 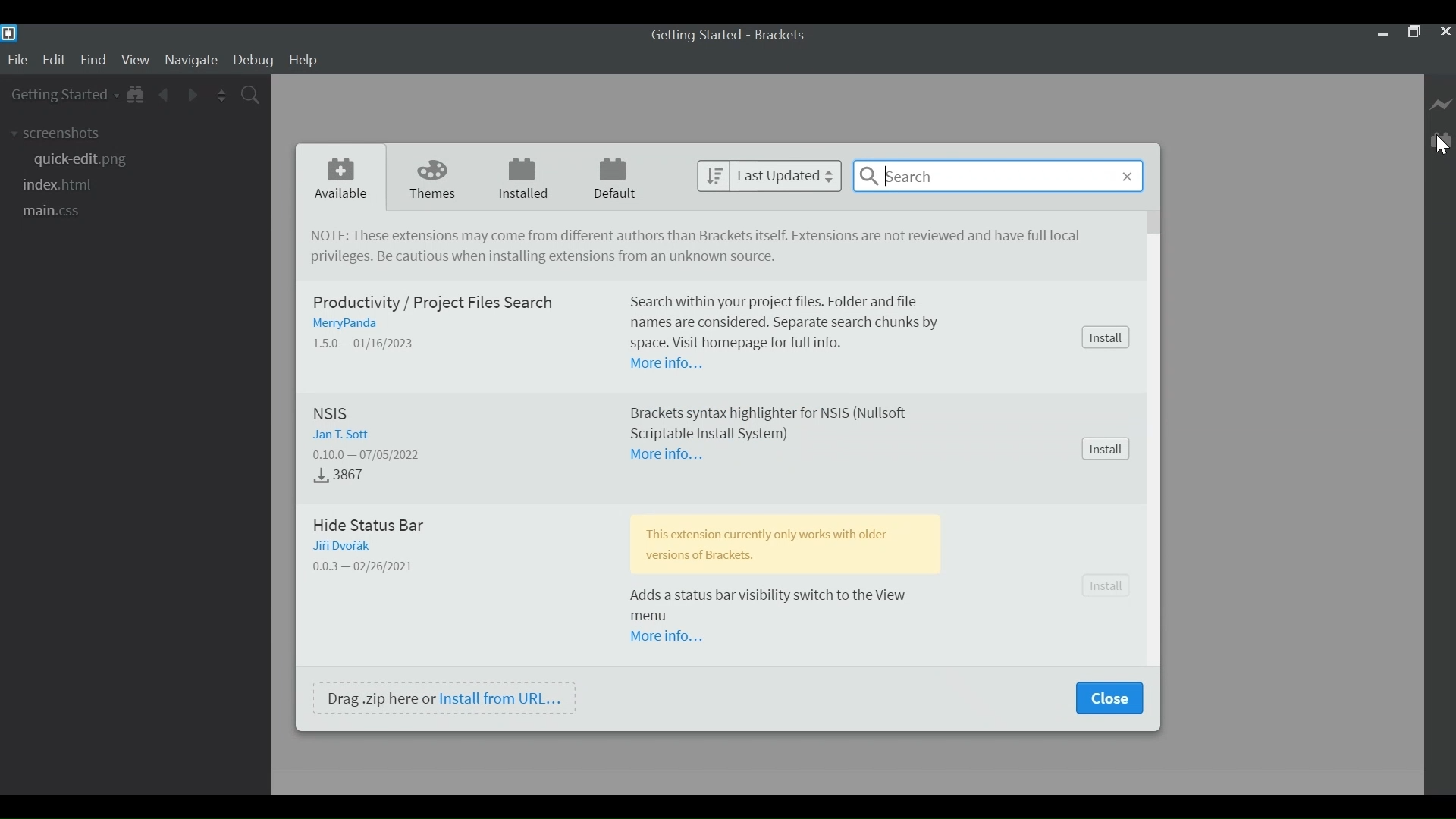 What do you see at coordinates (527, 178) in the screenshot?
I see `Installed ` at bounding box center [527, 178].